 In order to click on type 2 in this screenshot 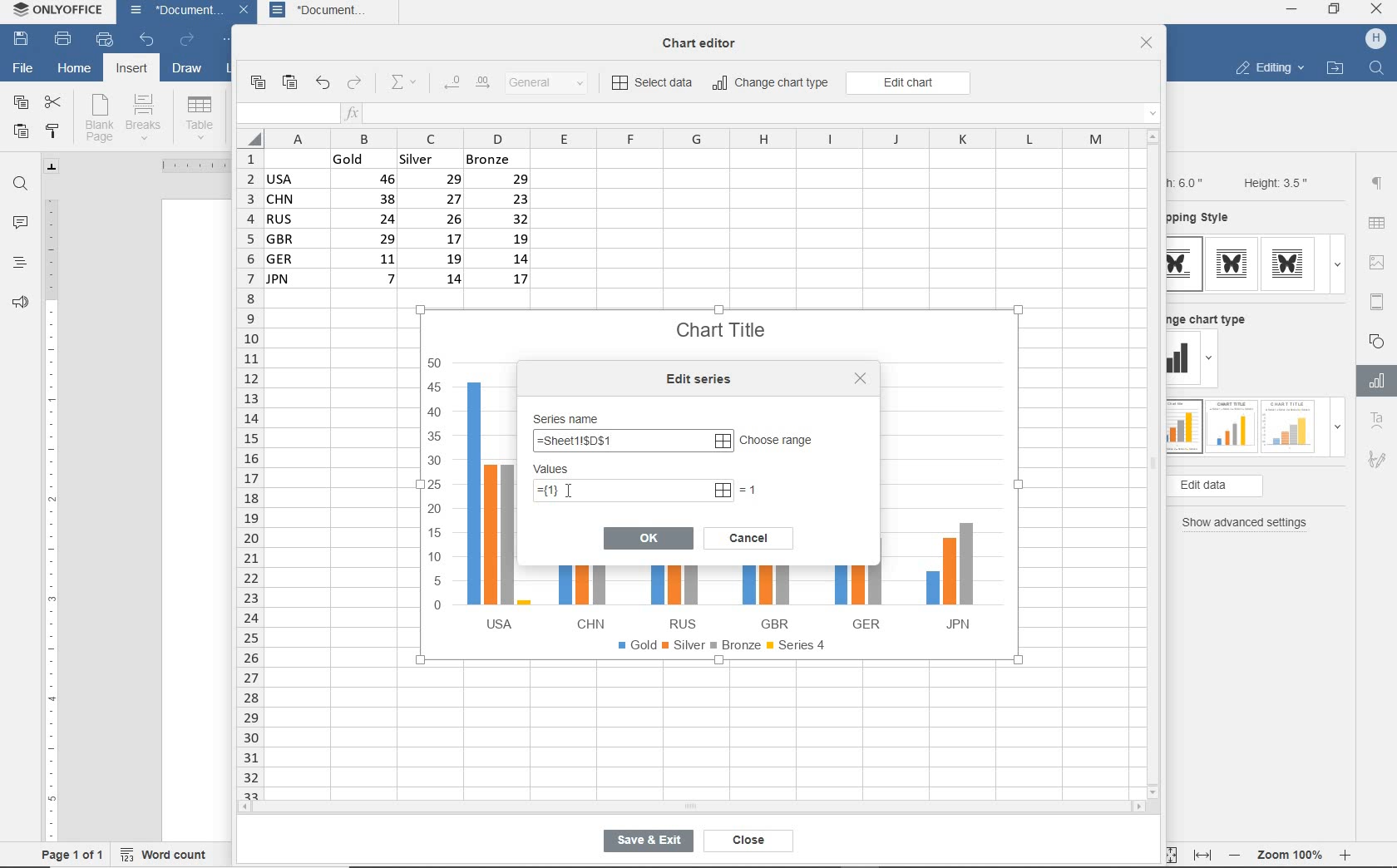, I will do `click(1232, 264)`.